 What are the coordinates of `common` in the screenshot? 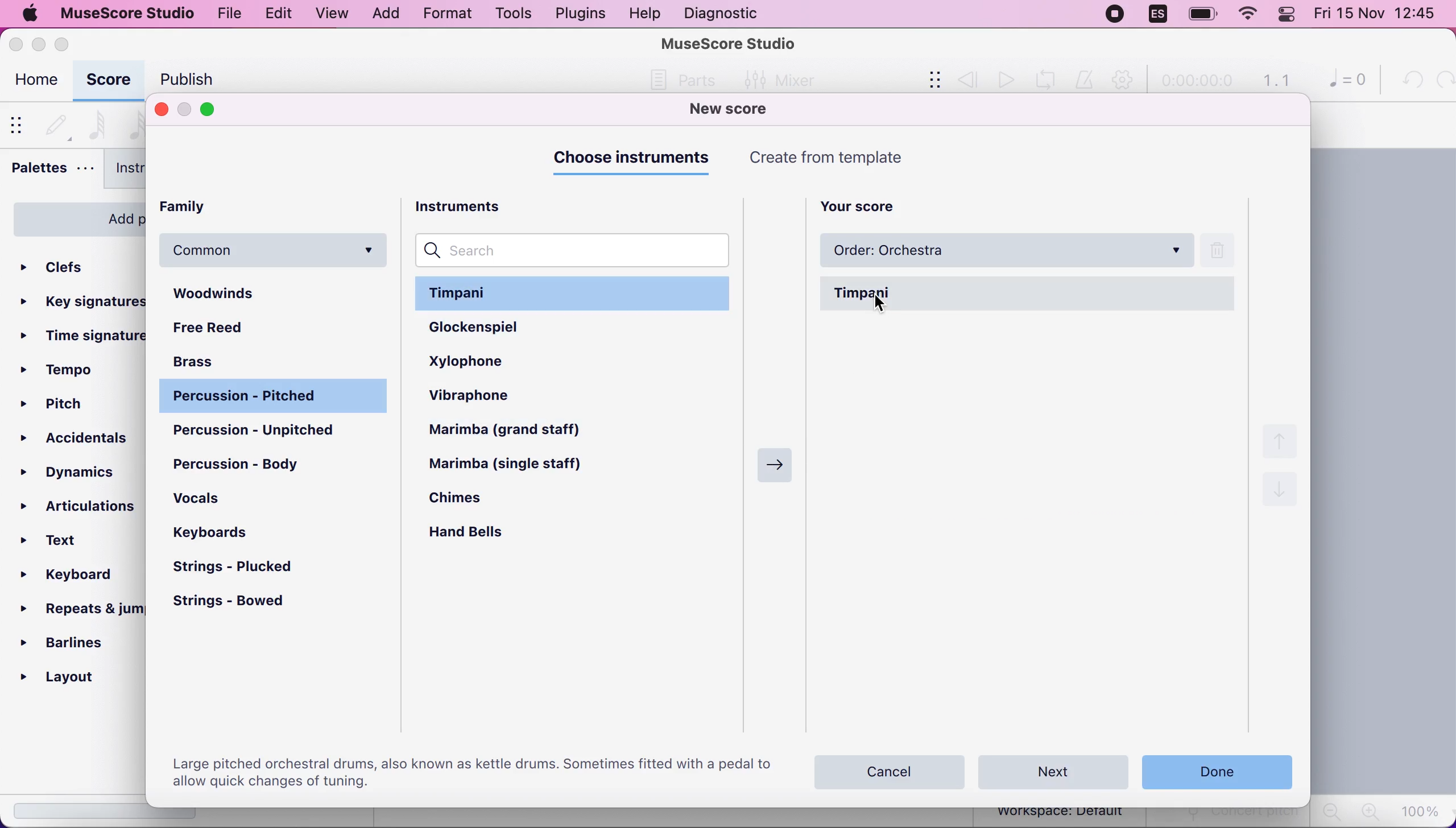 It's located at (276, 250).